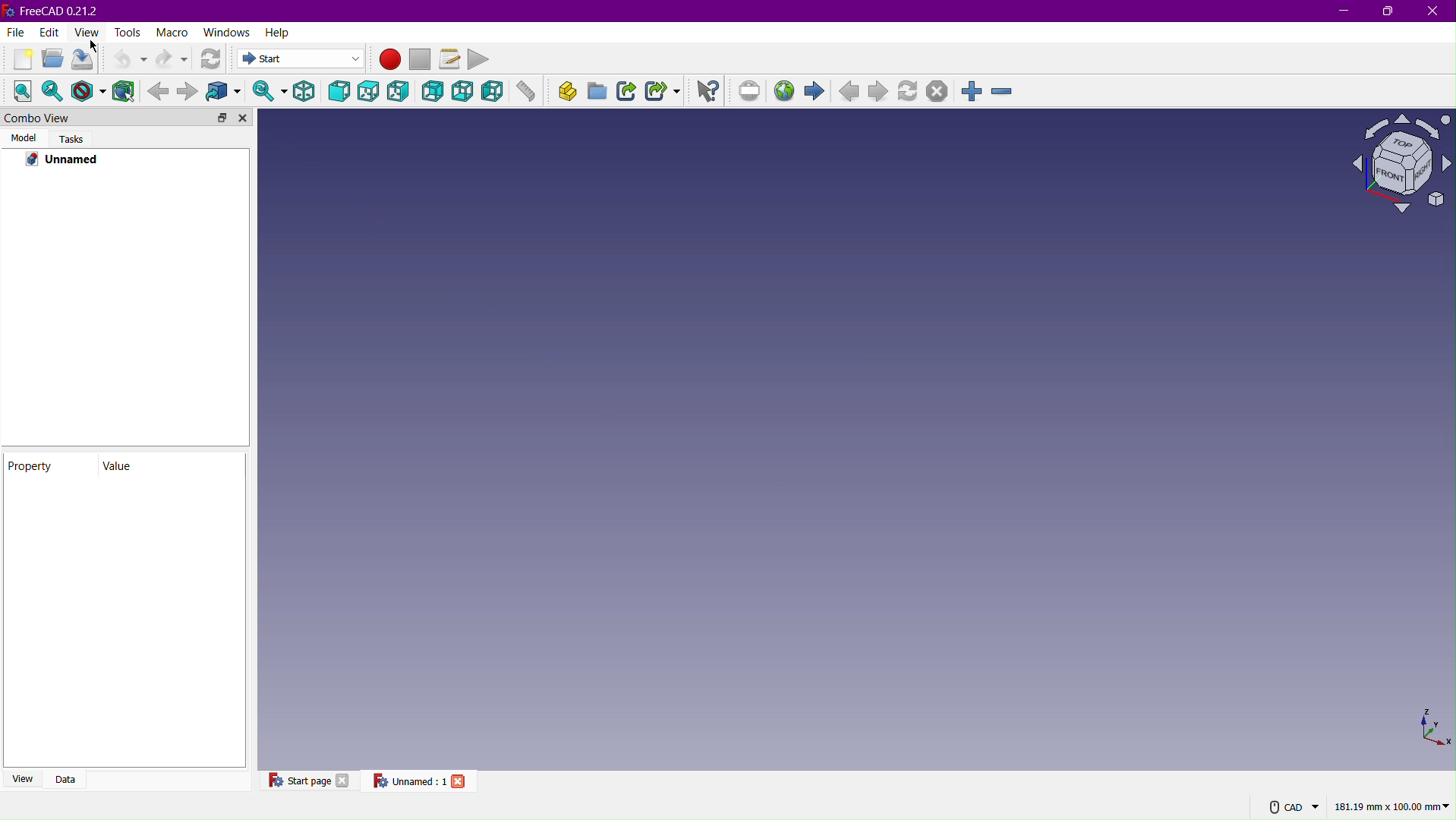  Describe the element at coordinates (449, 60) in the screenshot. I see `Macros` at that location.